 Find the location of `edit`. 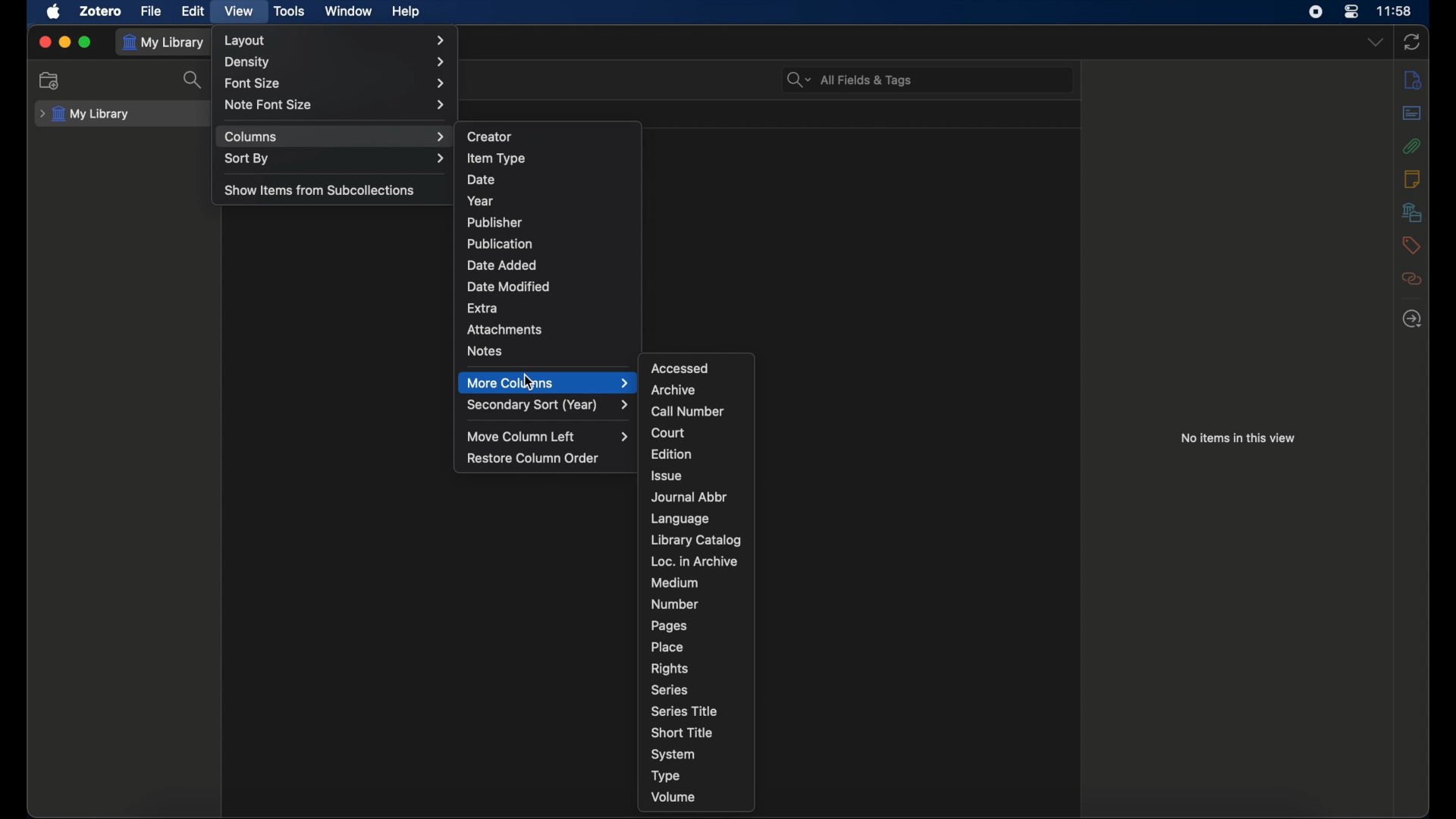

edit is located at coordinates (195, 11).